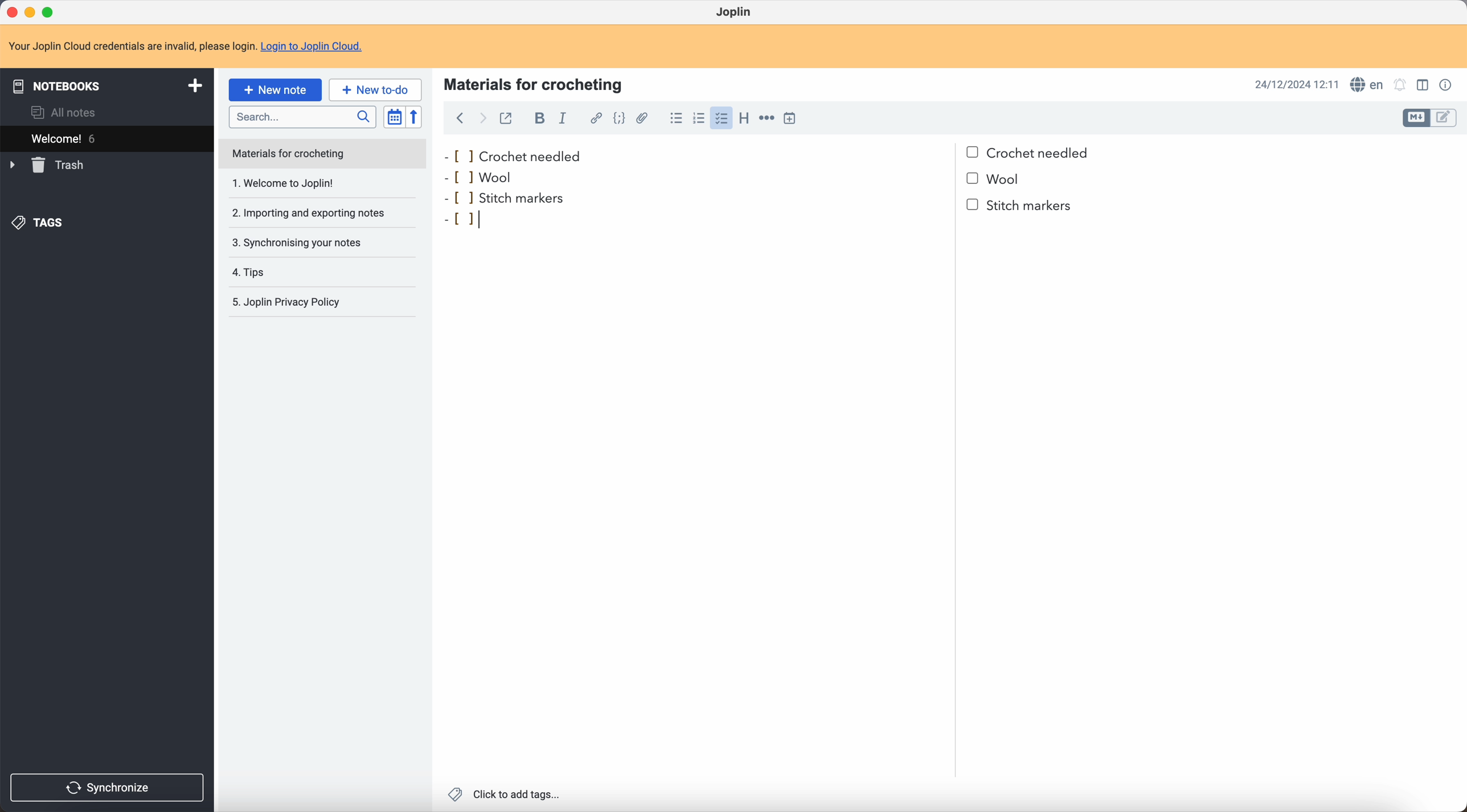  What do you see at coordinates (675, 118) in the screenshot?
I see `bulleted list` at bounding box center [675, 118].